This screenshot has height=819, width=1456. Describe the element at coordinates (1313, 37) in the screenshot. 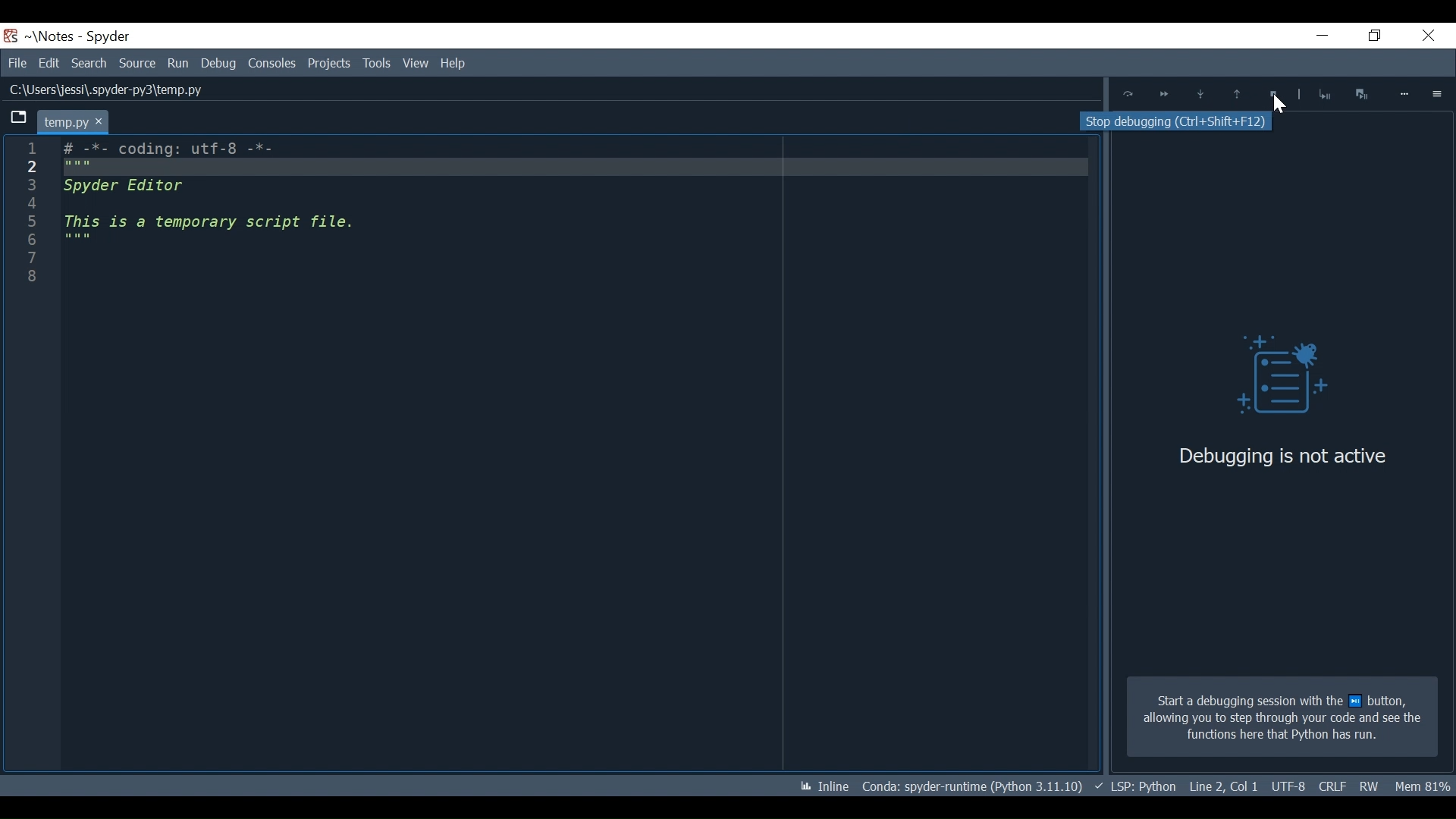

I see `Minimize` at that location.